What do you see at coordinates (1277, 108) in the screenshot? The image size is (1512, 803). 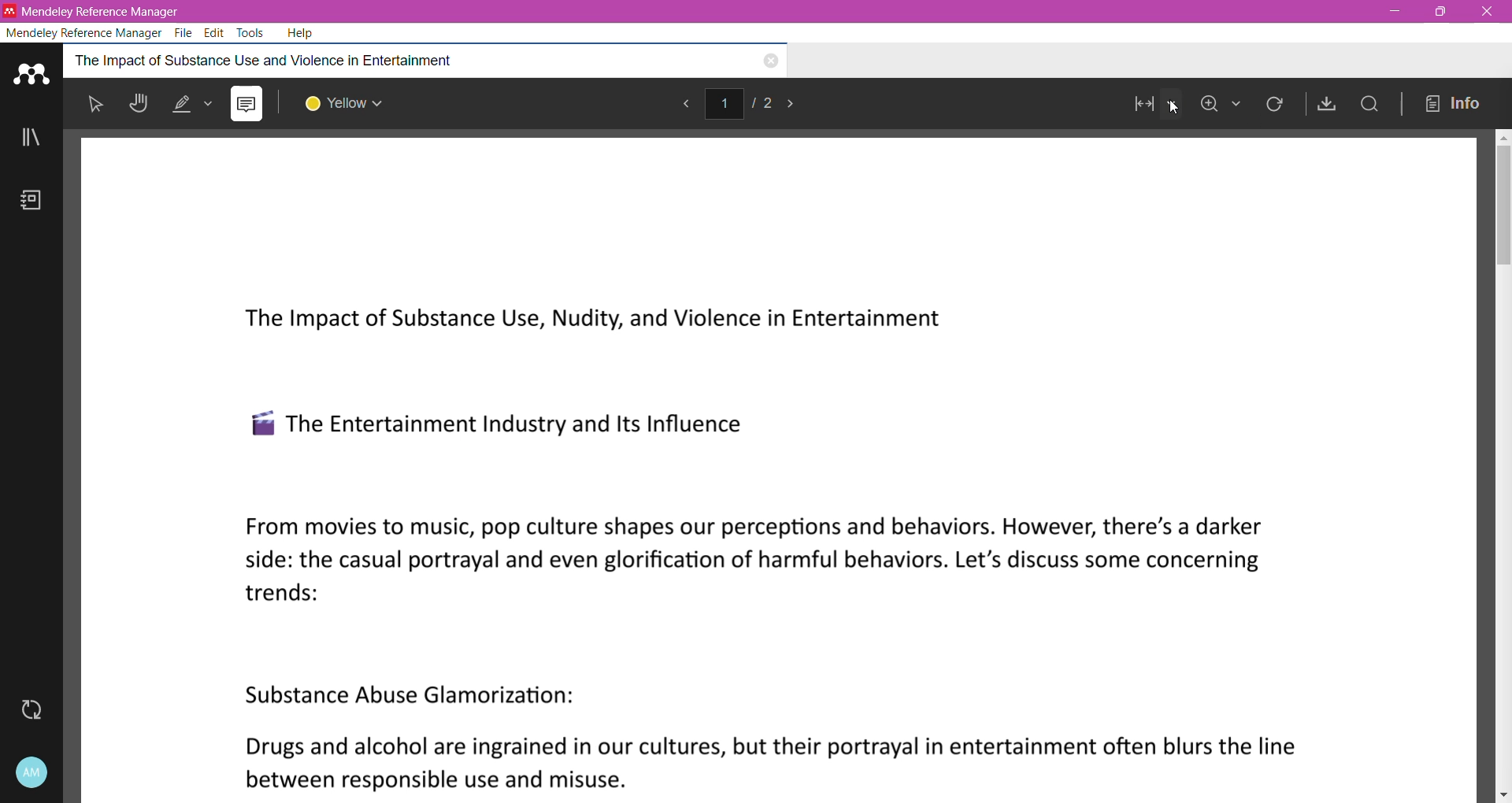 I see `Rotate Current Page` at bounding box center [1277, 108].